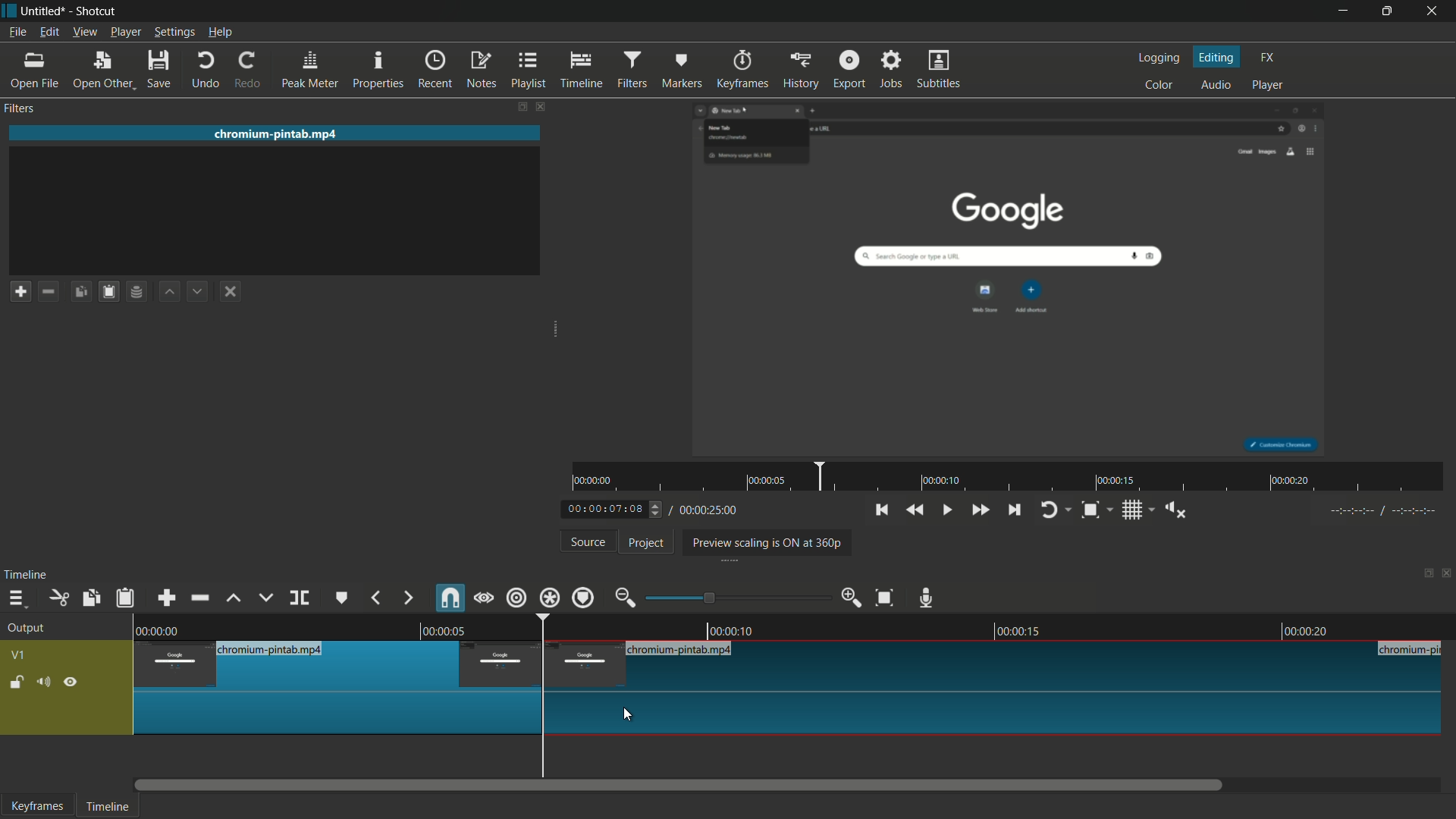 The image size is (1456, 819). Describe the element at coordinates (1434, 11) in the screenshot. I see `close app` at that location.